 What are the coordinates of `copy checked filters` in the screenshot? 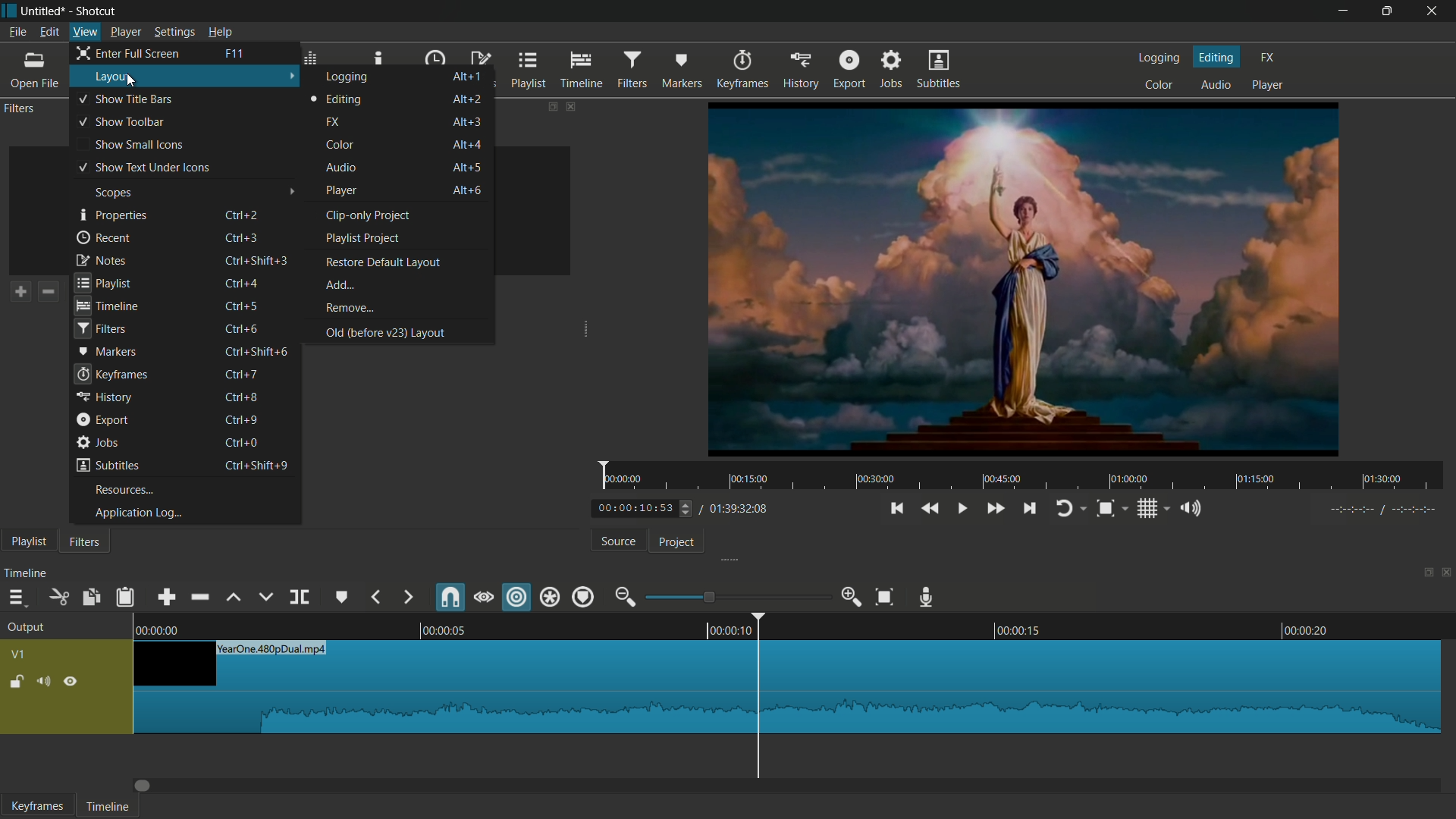 It's located at (82, 292).